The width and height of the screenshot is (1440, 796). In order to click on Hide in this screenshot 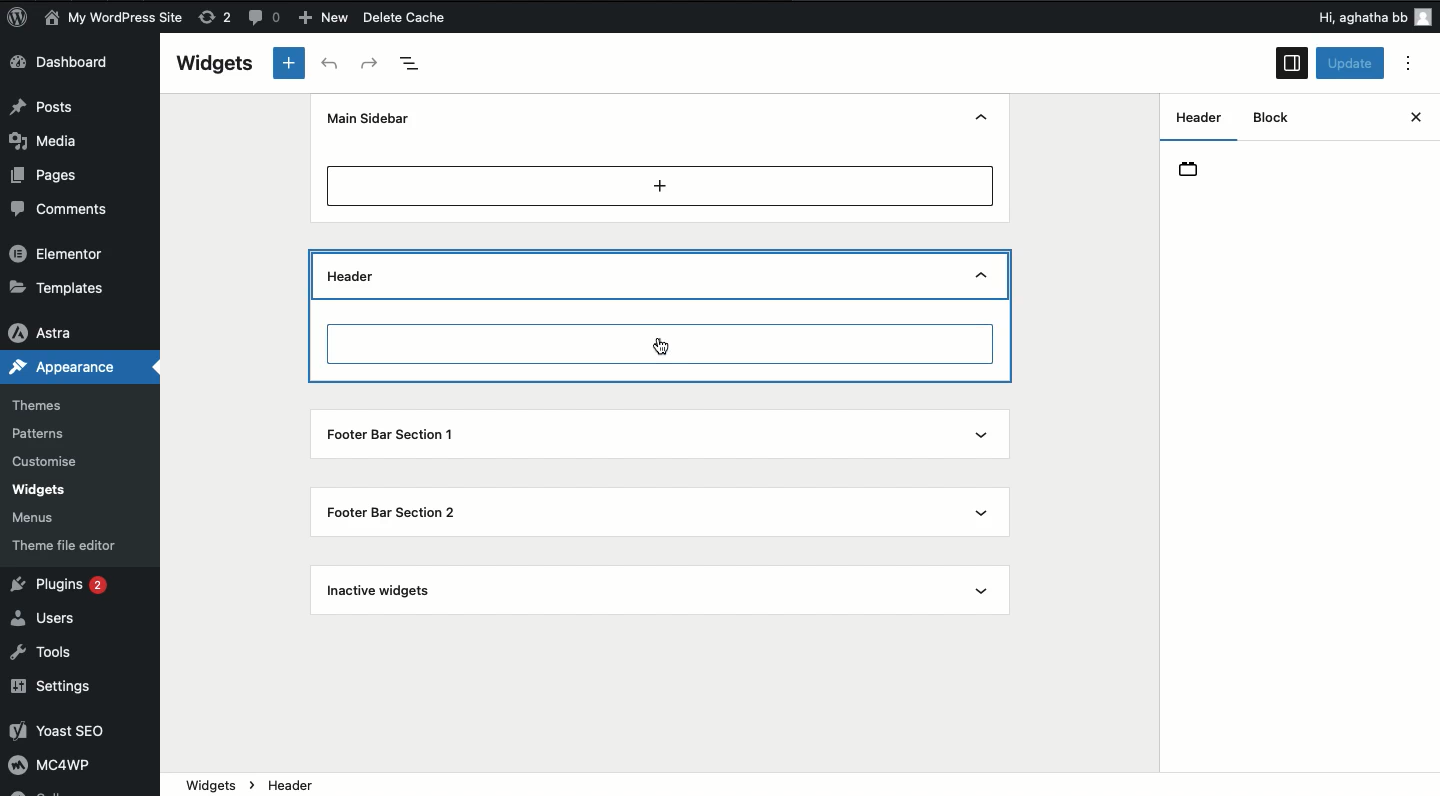, I will do `click(985, 117)`.